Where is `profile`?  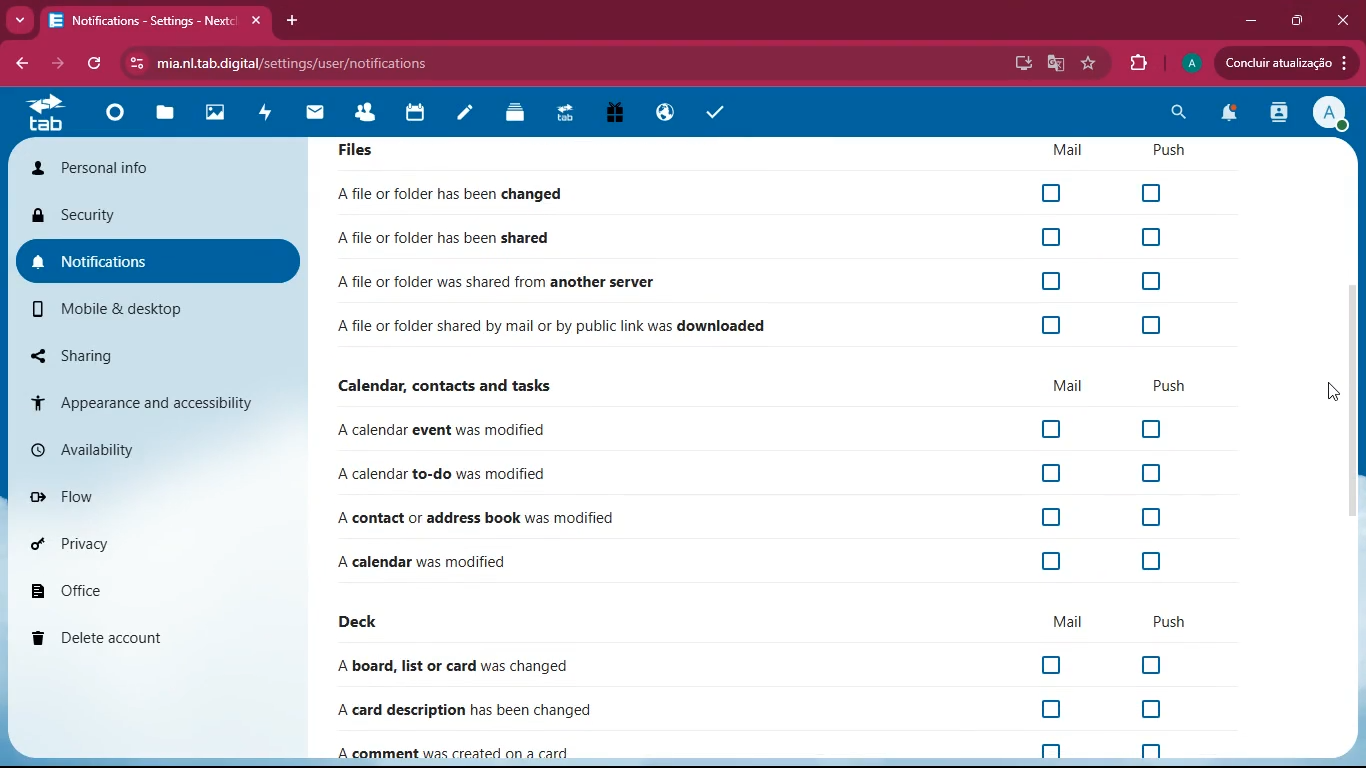 profile is located at coordinates (1189, 63).